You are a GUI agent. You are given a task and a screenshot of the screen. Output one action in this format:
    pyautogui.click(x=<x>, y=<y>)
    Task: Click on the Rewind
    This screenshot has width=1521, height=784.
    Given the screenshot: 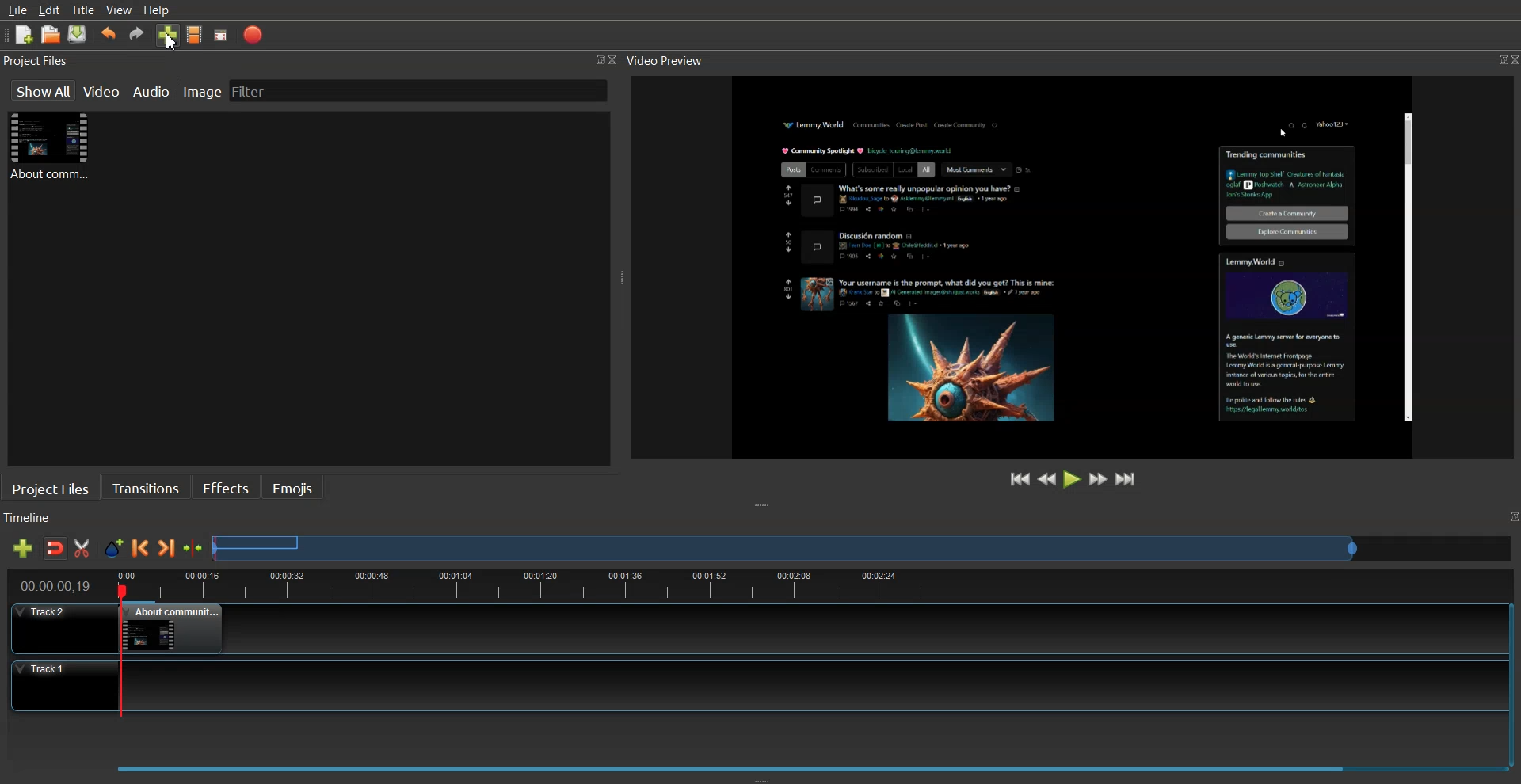 What is the action you would take?
    pyautogui.click(x=1047, y=478)
    